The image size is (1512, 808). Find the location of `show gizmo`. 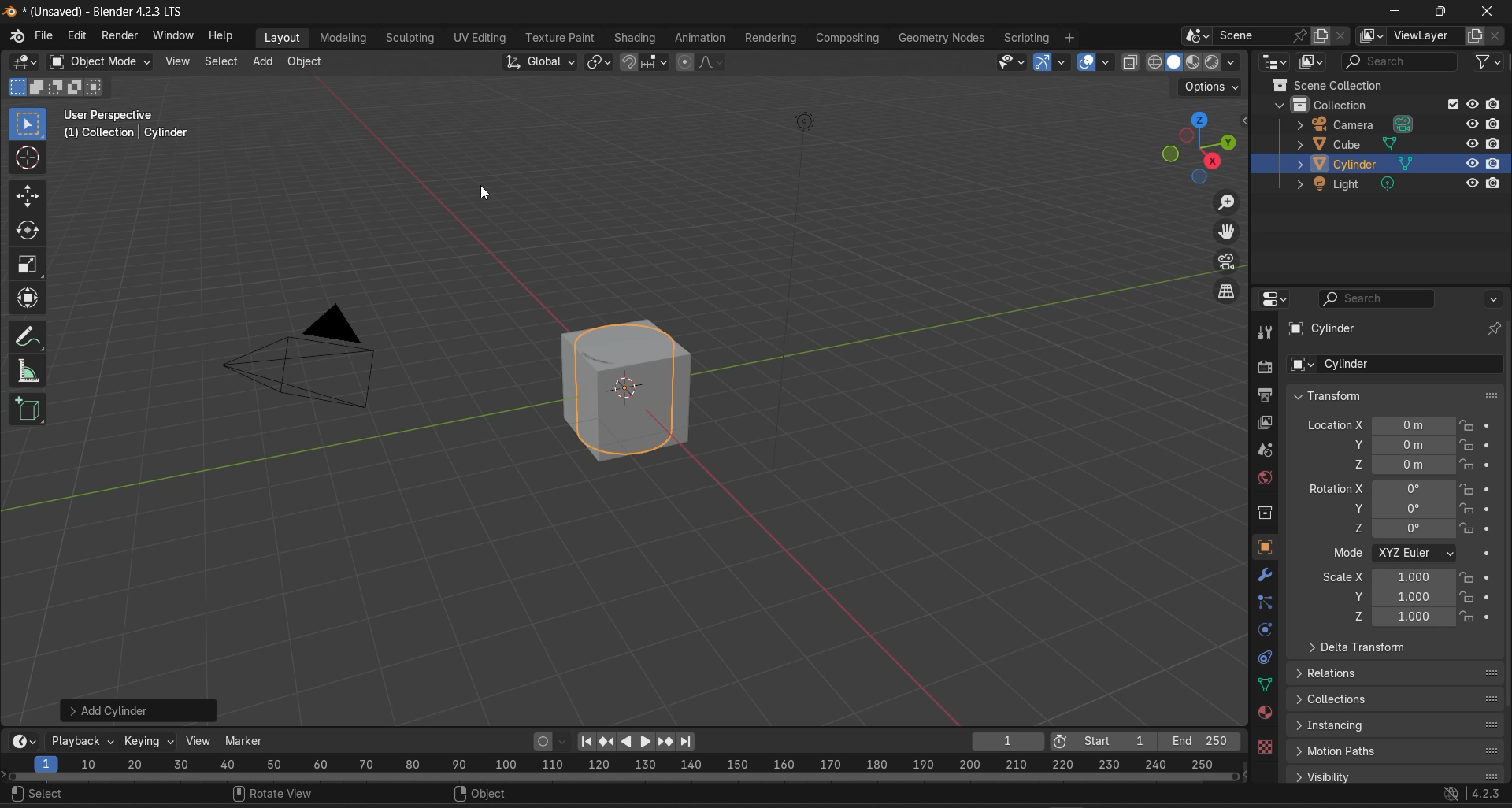

show gizmo is located at coordinates (1041, 62).